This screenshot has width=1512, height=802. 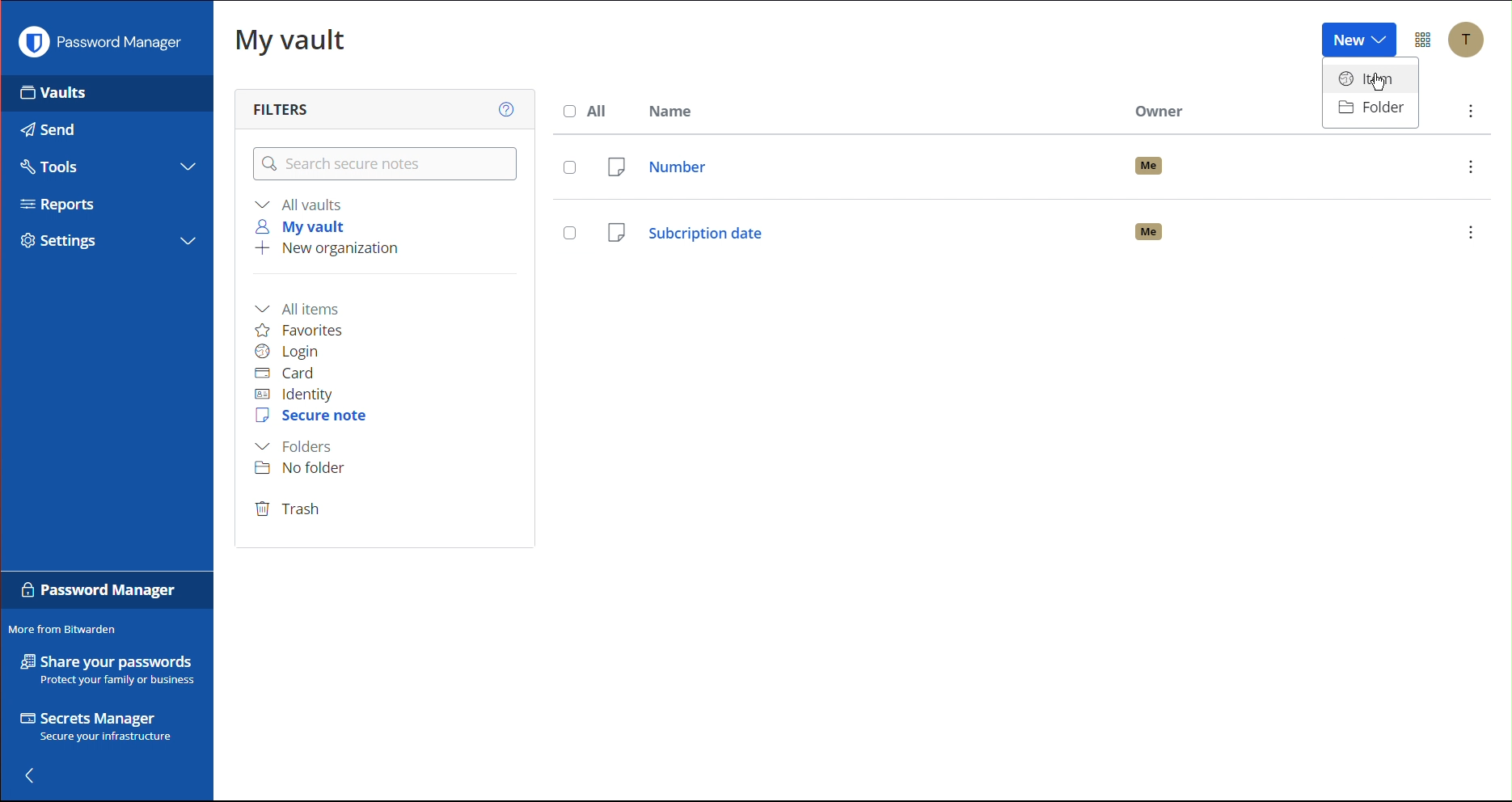 I want to click on Subscription Date, so click(x=1019, y=229).